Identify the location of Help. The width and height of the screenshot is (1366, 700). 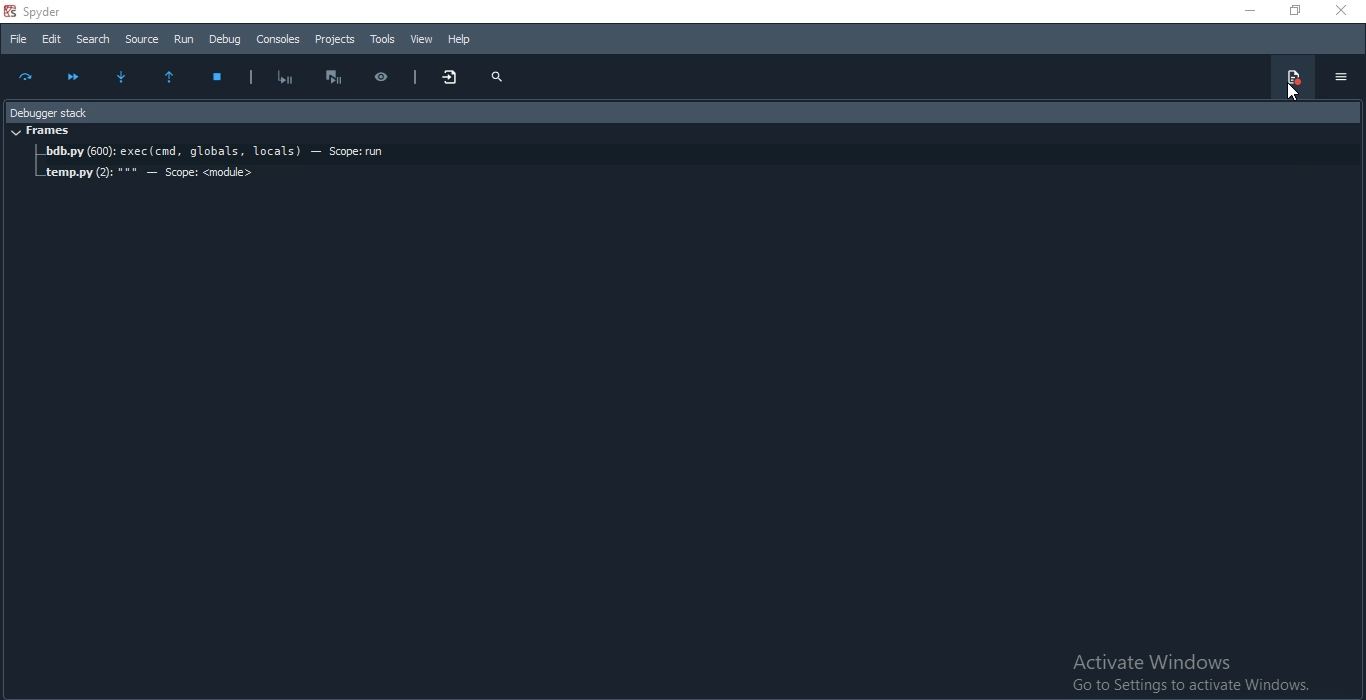
(460, 39).